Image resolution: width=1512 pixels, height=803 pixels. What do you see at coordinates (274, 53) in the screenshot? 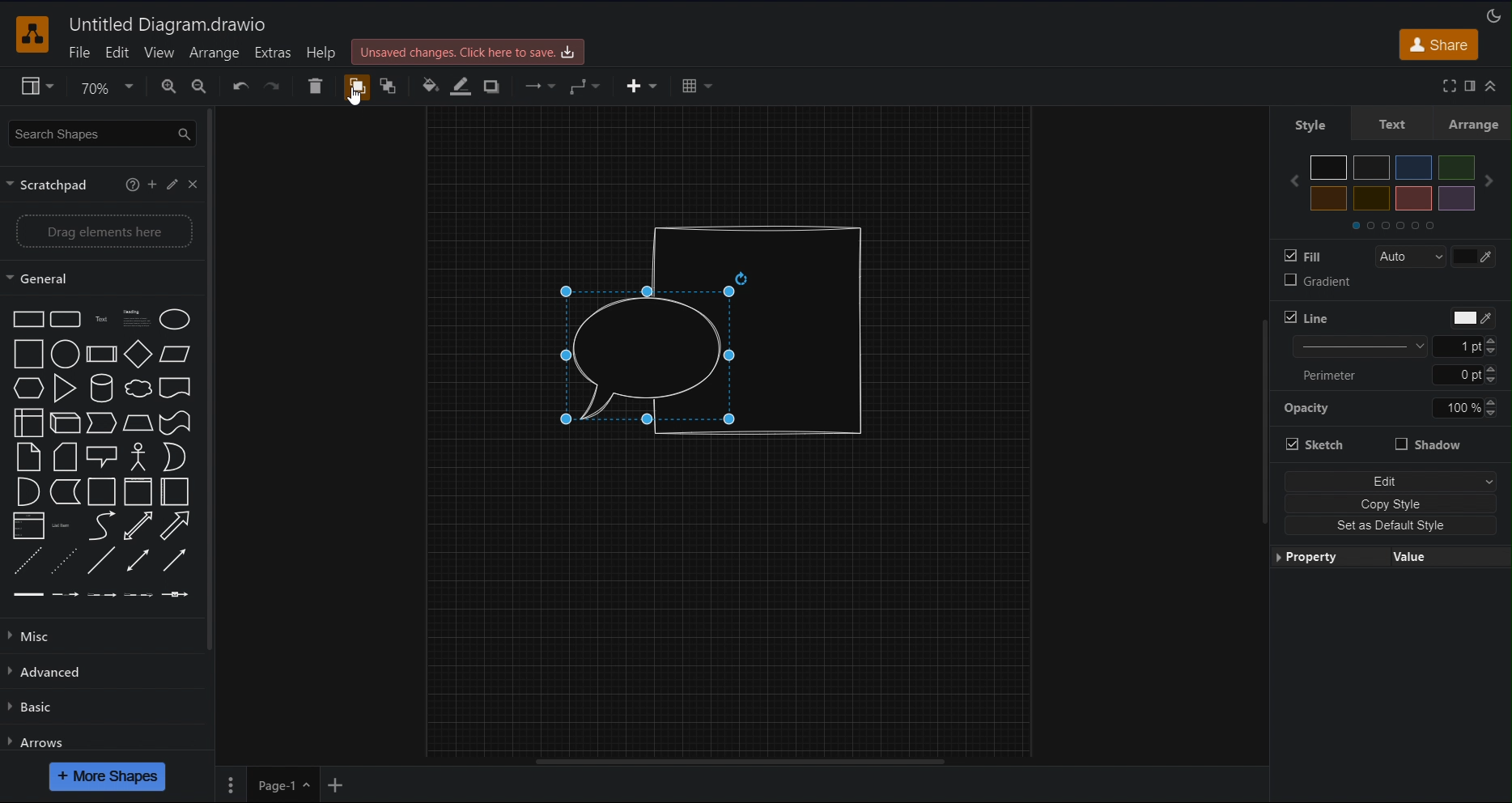
I see `Extras` at bounding box center [274, 53].